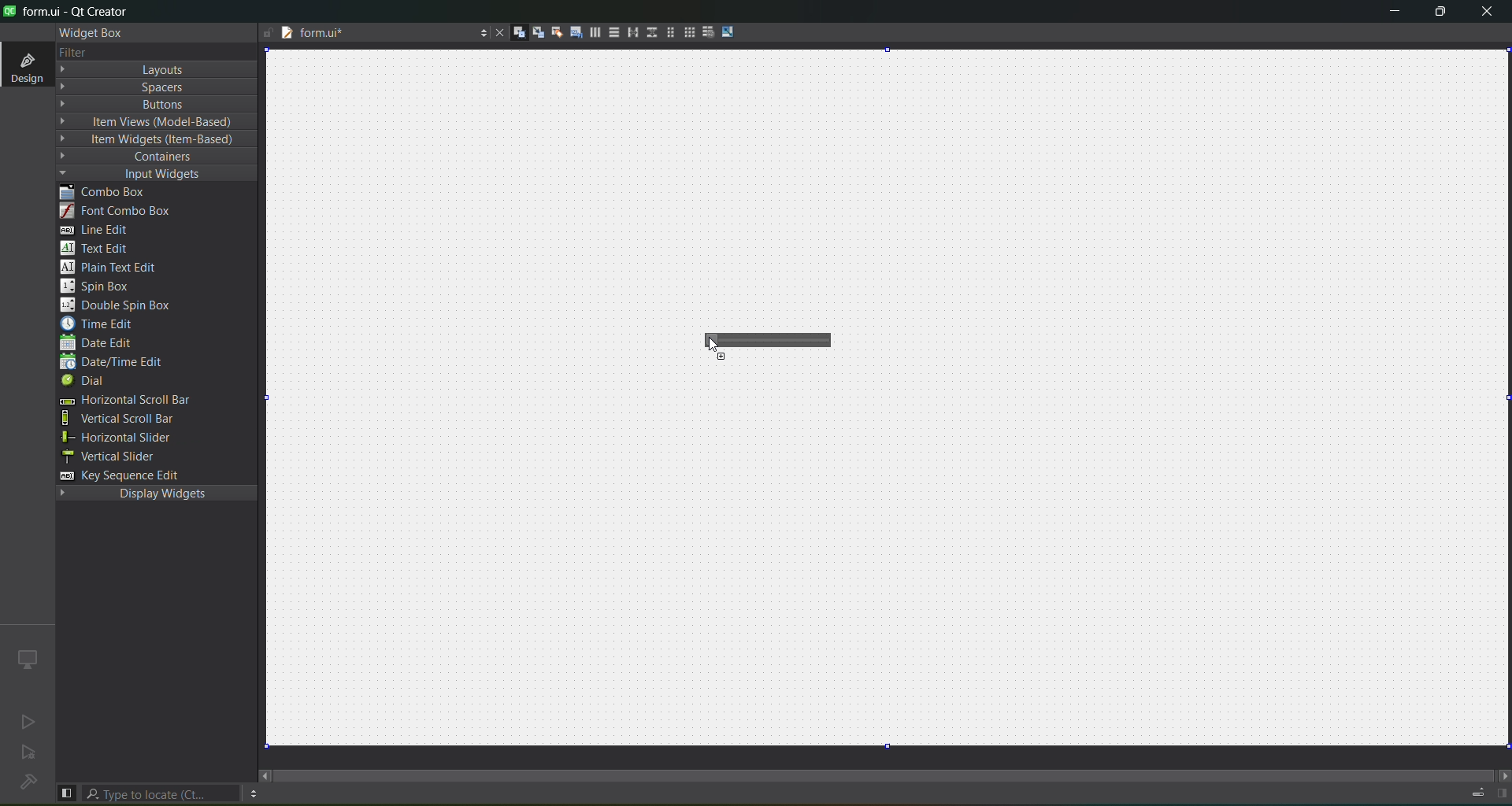 The image size is (1512, 806). I want to click on containers, so click(141, 157).